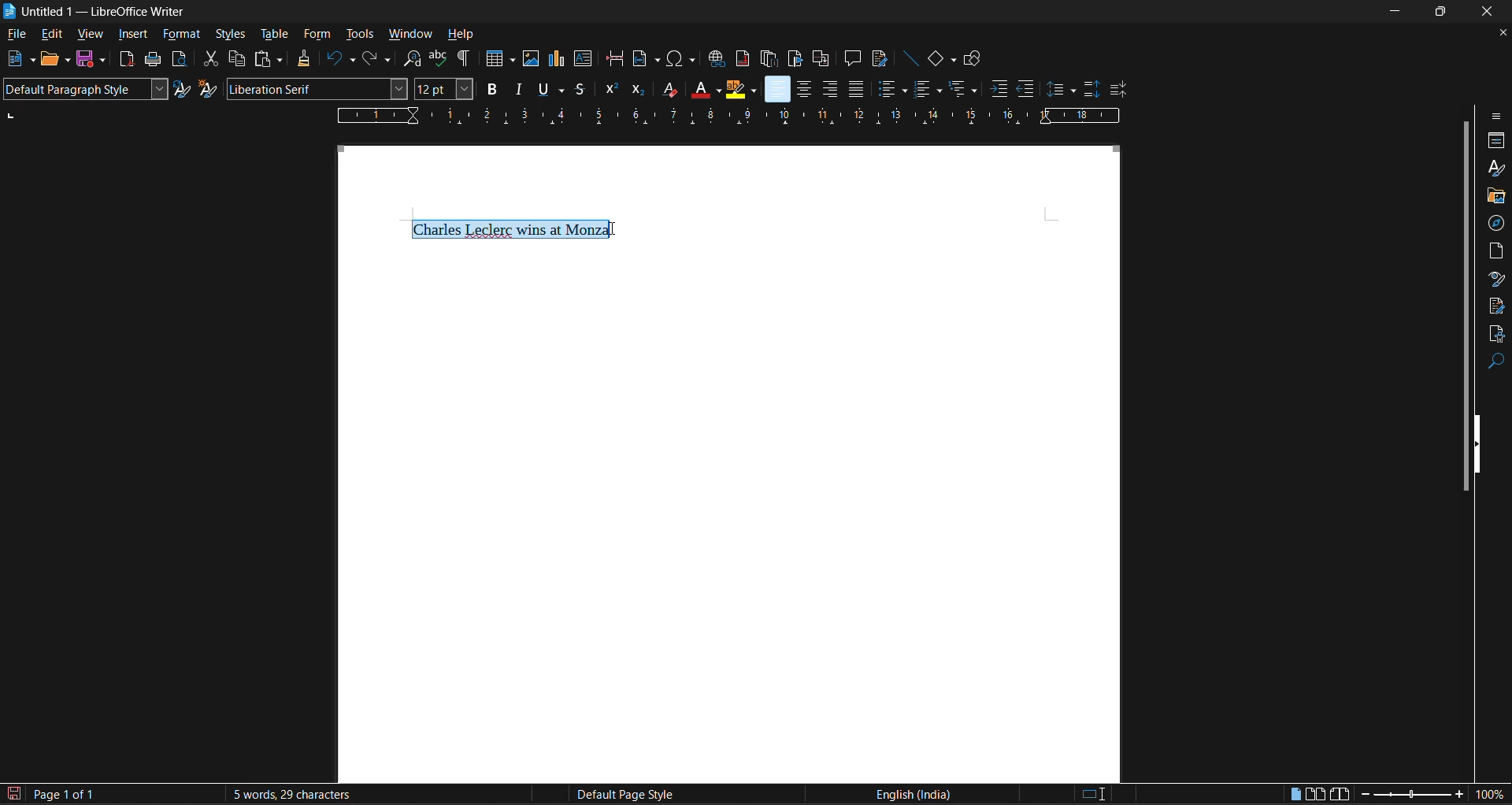  Describe the element at coordinates (1029, 88) in the screenshot. I see `decrease indent` at that location.